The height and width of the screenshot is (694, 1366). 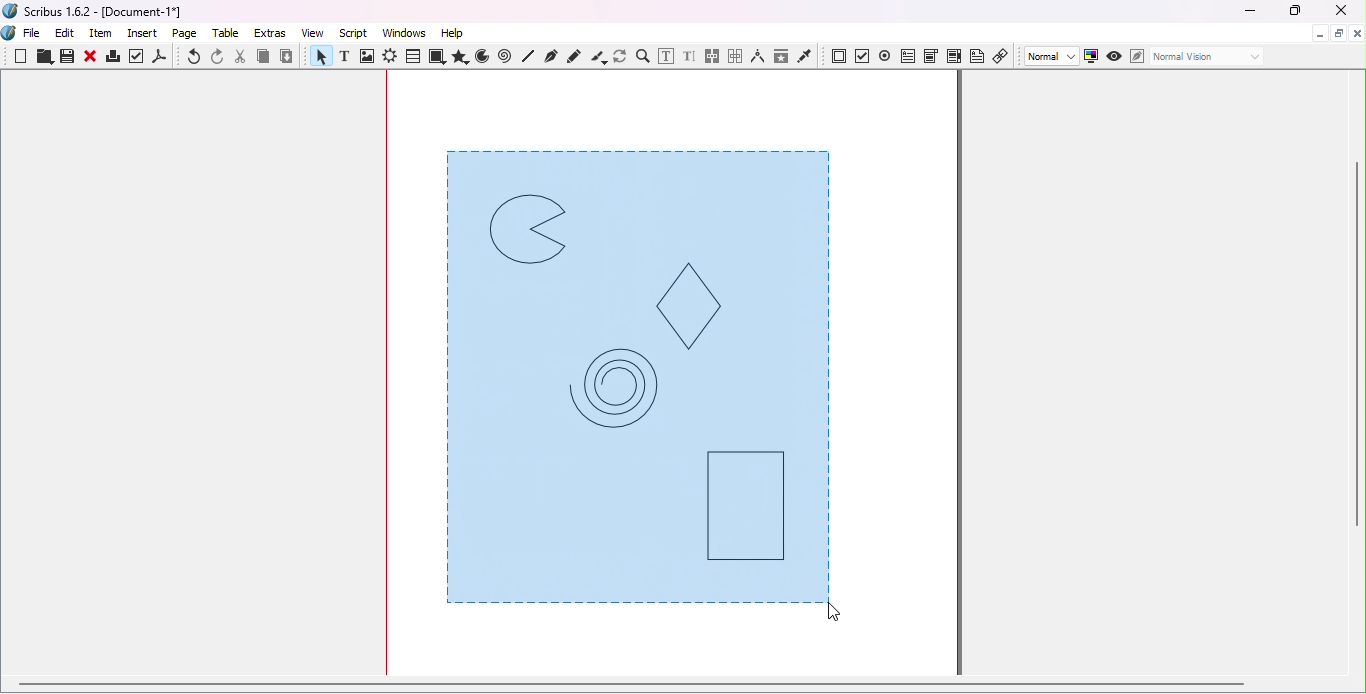 I want to click on Edit contents of frame, so click(x=665, y=56).